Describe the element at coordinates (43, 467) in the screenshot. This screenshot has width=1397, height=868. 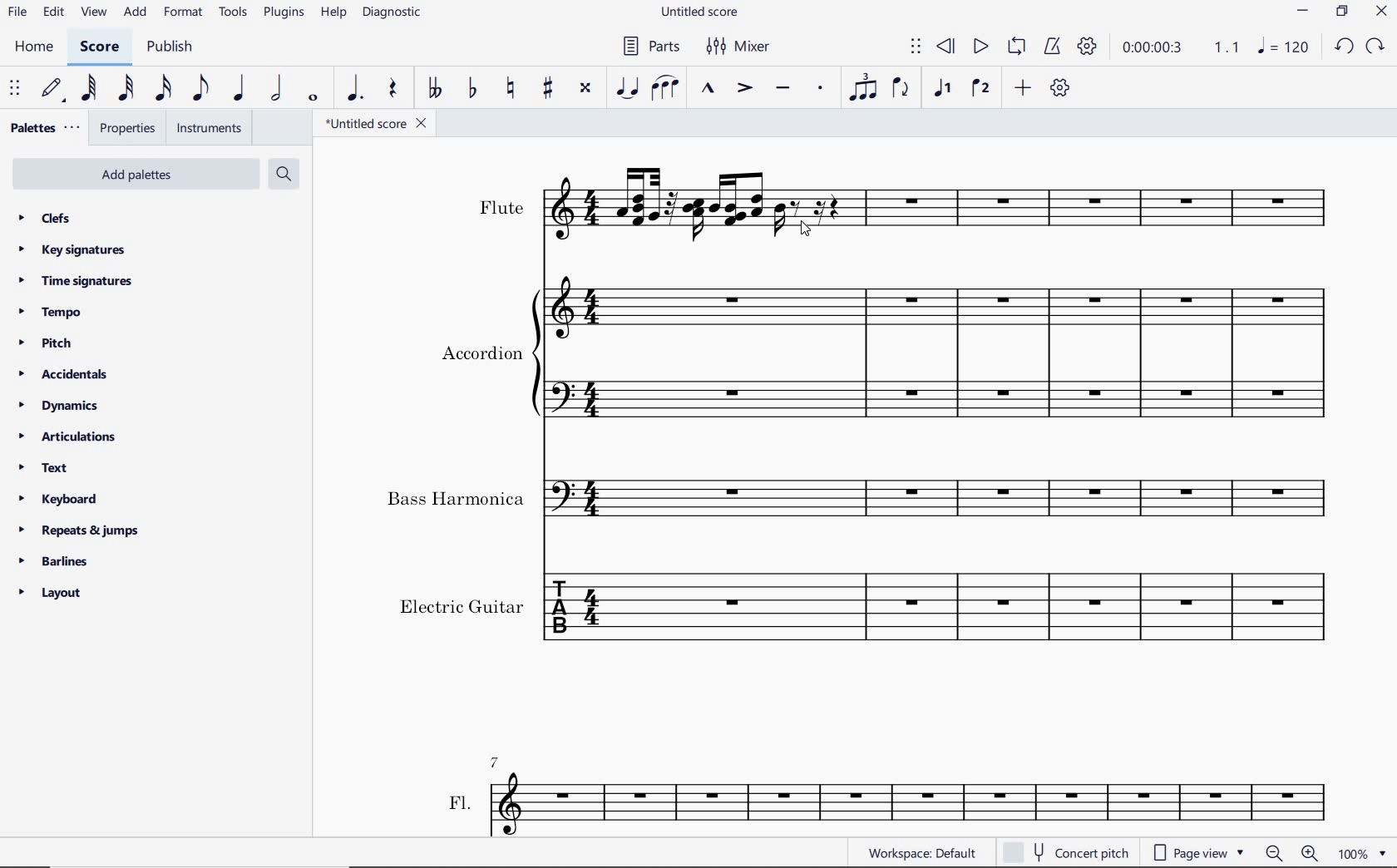
I see `text` at that location.